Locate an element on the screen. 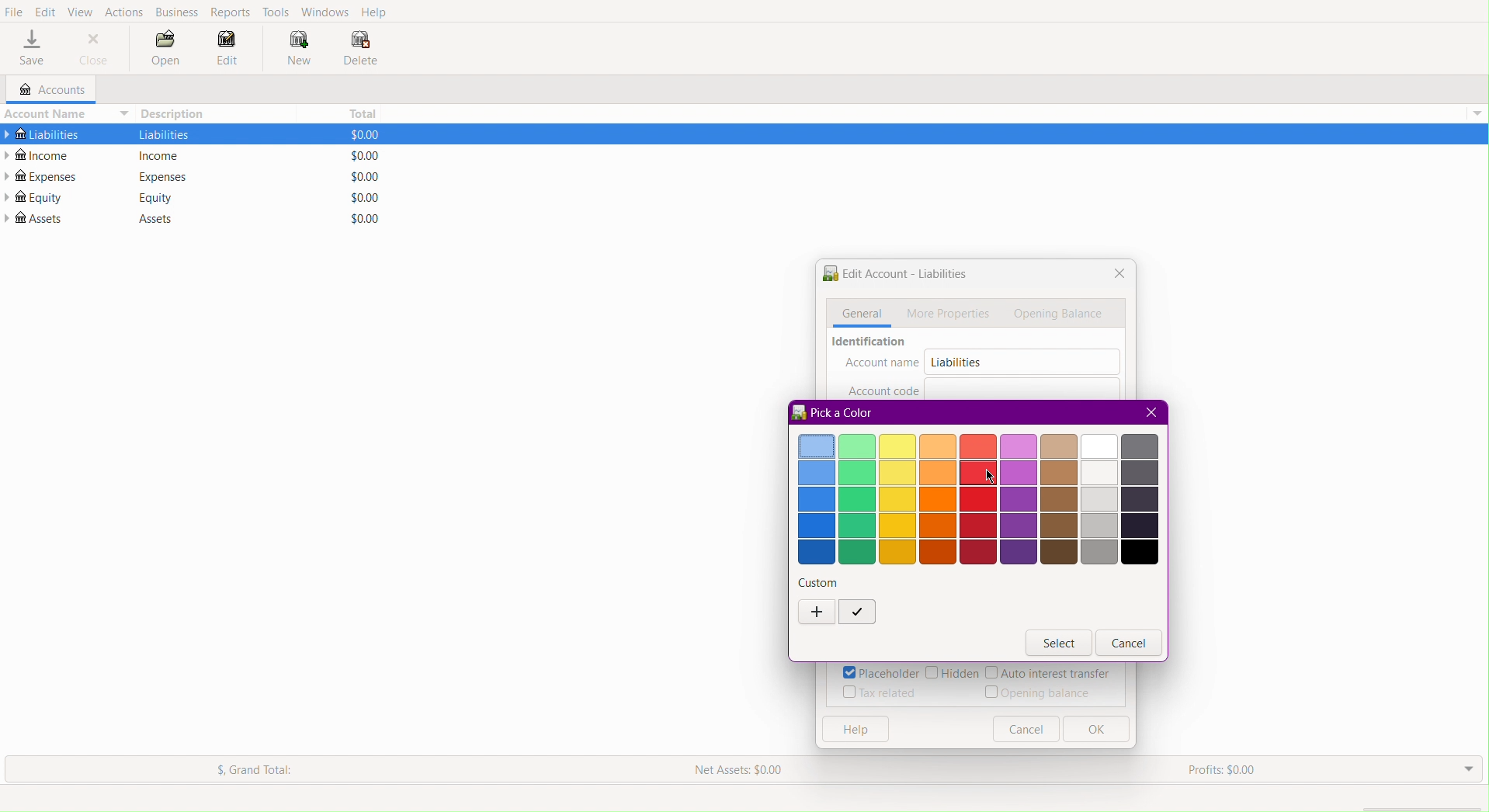 This screenshot has height=812, width=1489. Cancel is located at coordinates (1130, 644).